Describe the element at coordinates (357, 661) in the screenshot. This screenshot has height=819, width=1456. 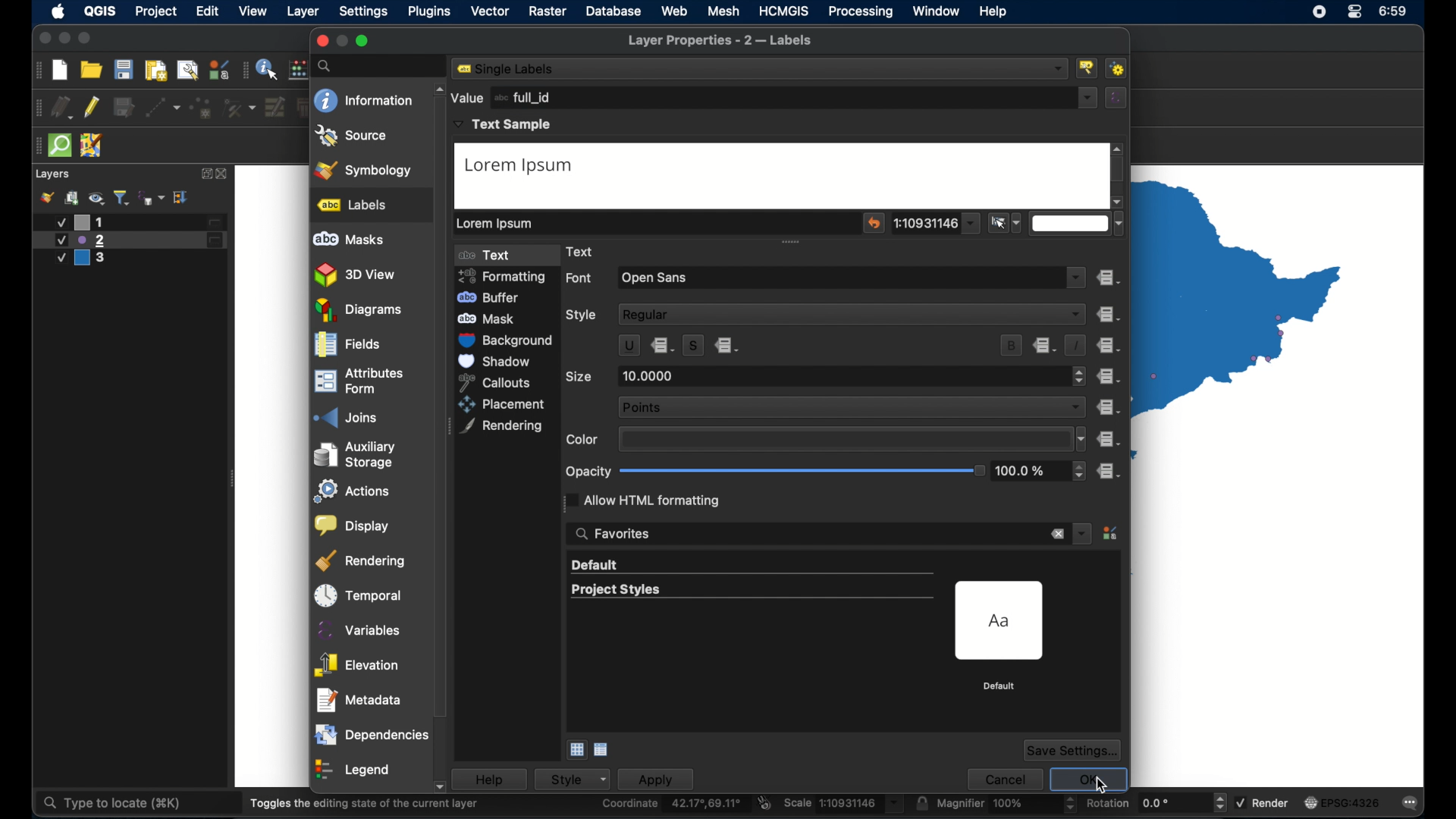
I see `elevation` at that location.